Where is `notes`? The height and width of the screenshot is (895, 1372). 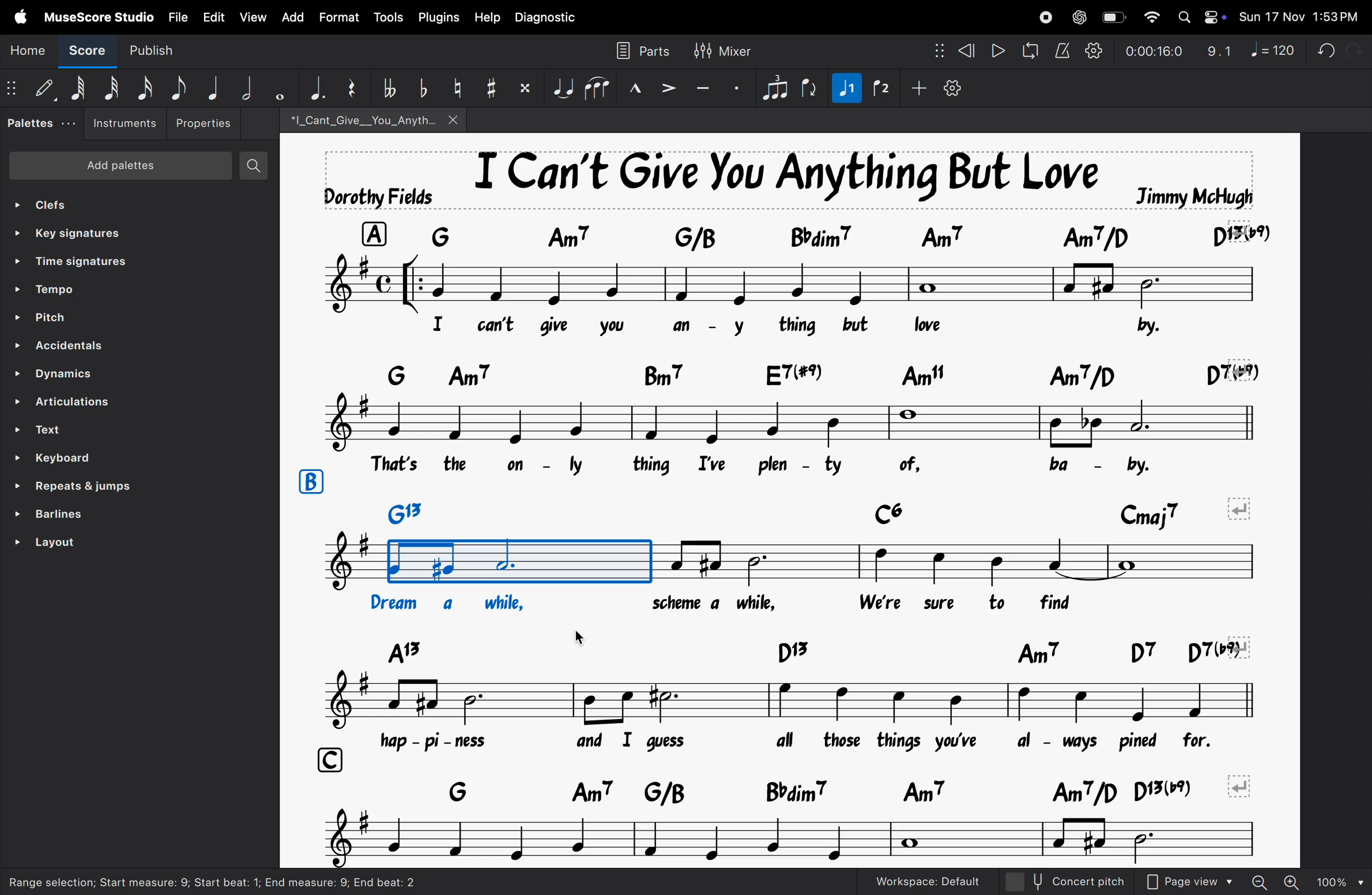
notes is located at coordinates (783, 701).